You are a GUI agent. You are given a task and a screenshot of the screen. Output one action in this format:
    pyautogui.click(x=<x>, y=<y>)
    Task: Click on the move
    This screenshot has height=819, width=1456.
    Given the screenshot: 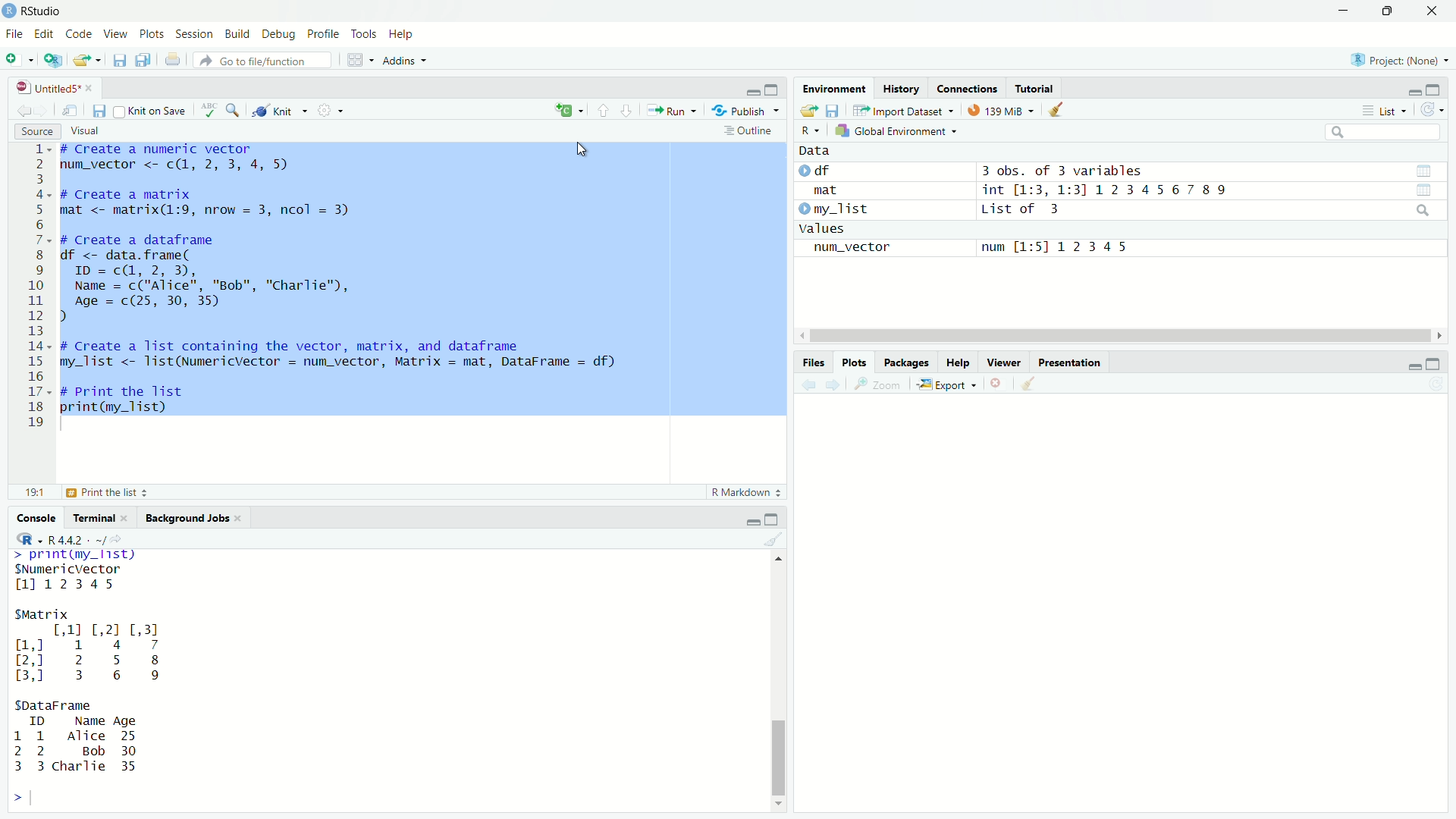 What is the action you would take?
    pyautogui.click(x=73, y=113)
    